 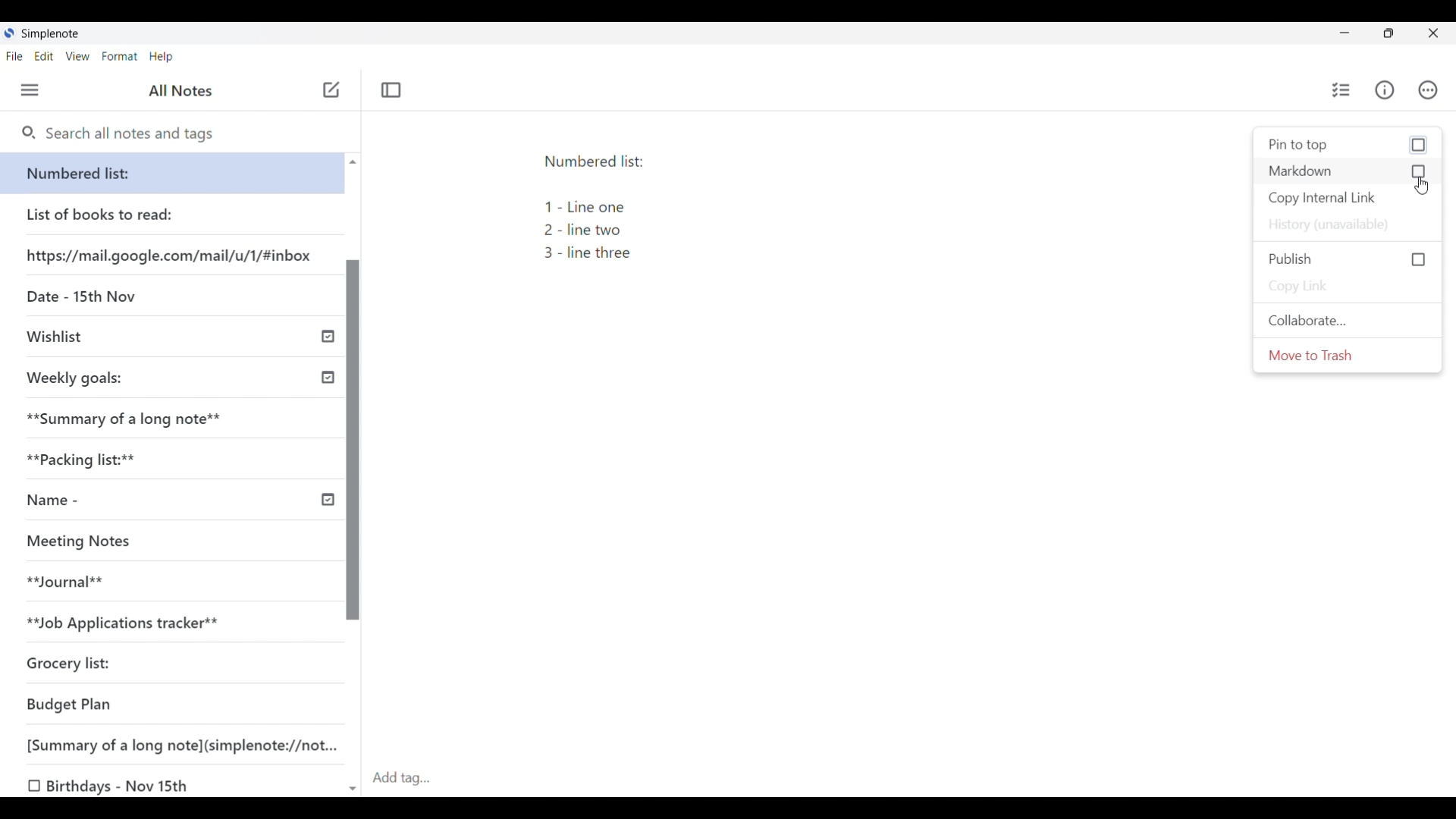 What do you see at coordinates (51, 33) in the screenshot?
I see `Simplenote` at bounding box center [51, 33].